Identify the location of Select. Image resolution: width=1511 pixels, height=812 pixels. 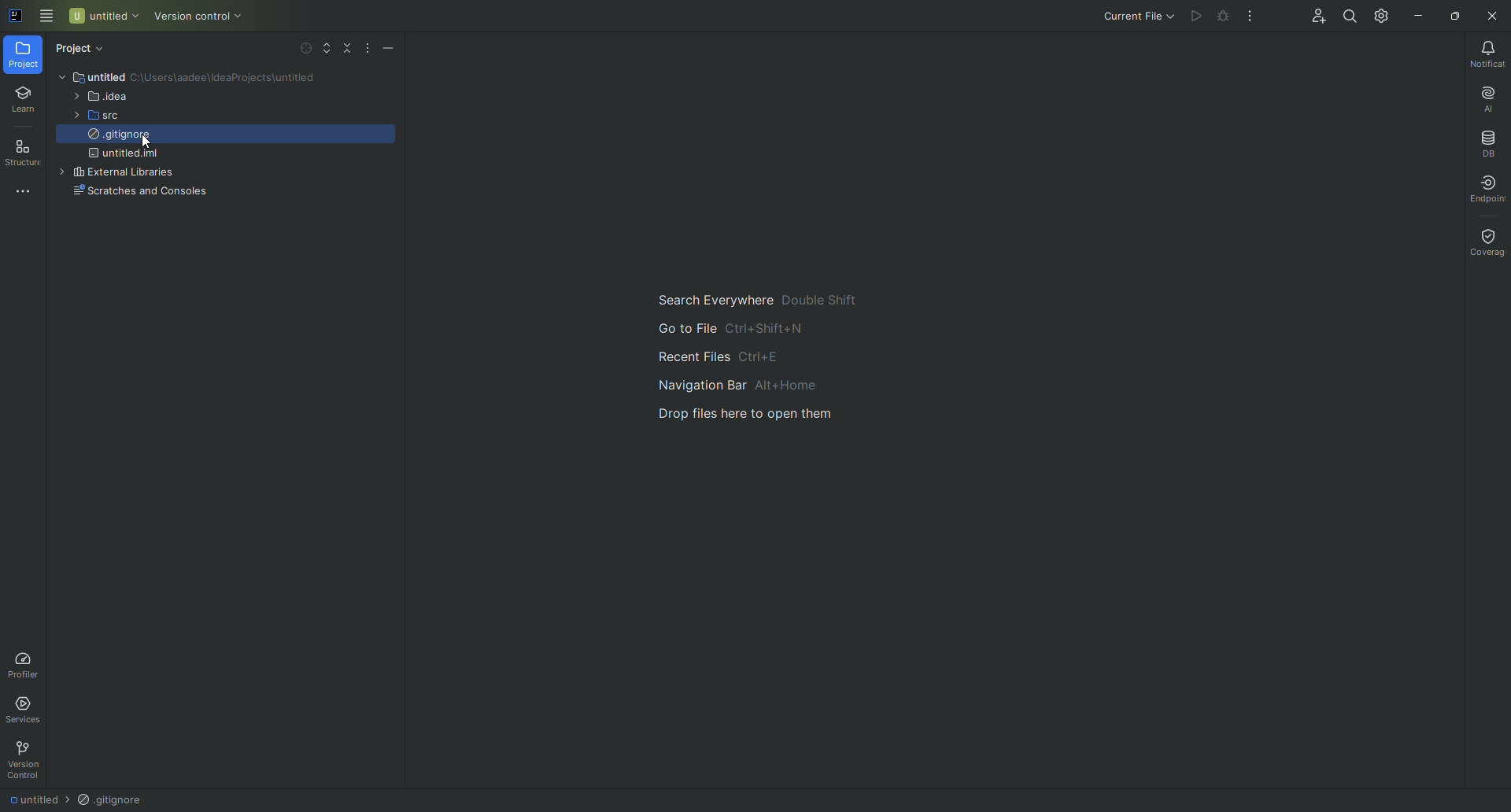
(307, 51).